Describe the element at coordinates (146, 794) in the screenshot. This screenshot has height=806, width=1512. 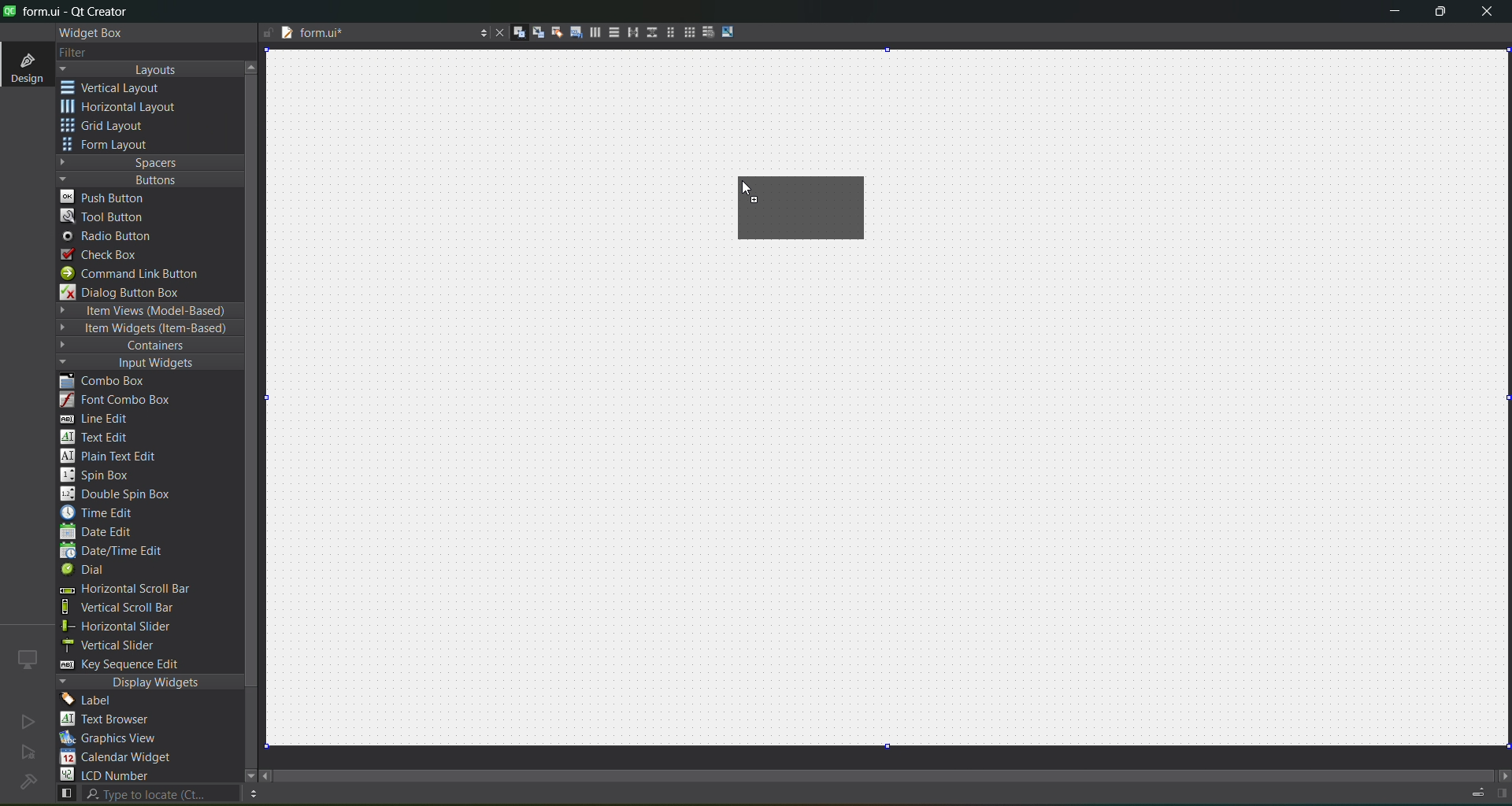
I see `search` at that location.